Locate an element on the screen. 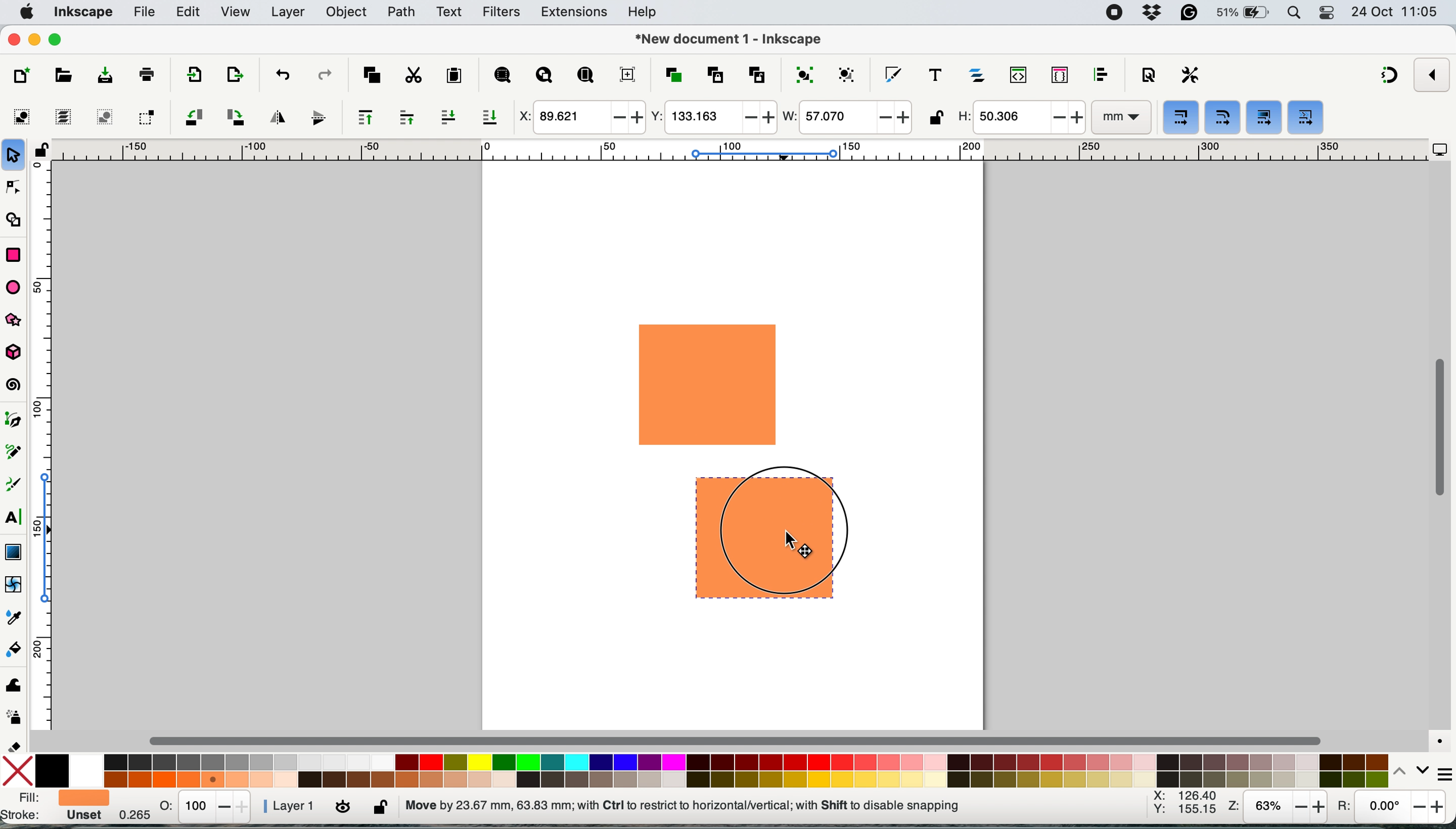 The image size is (1456, 829). texts and fonts is located at coordinates (935, 75).